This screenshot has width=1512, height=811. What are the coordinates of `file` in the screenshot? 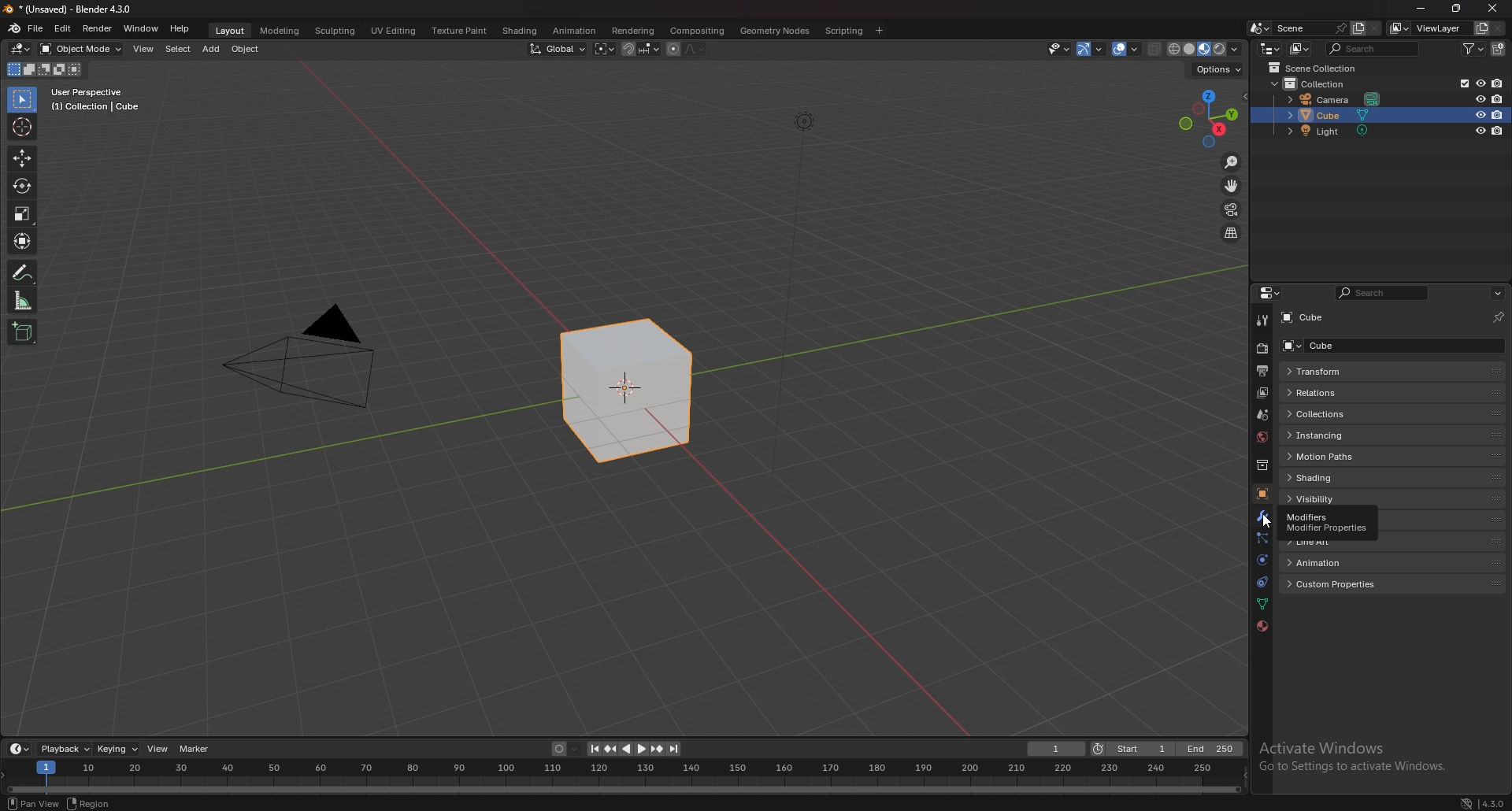 It's located at (35, 29).